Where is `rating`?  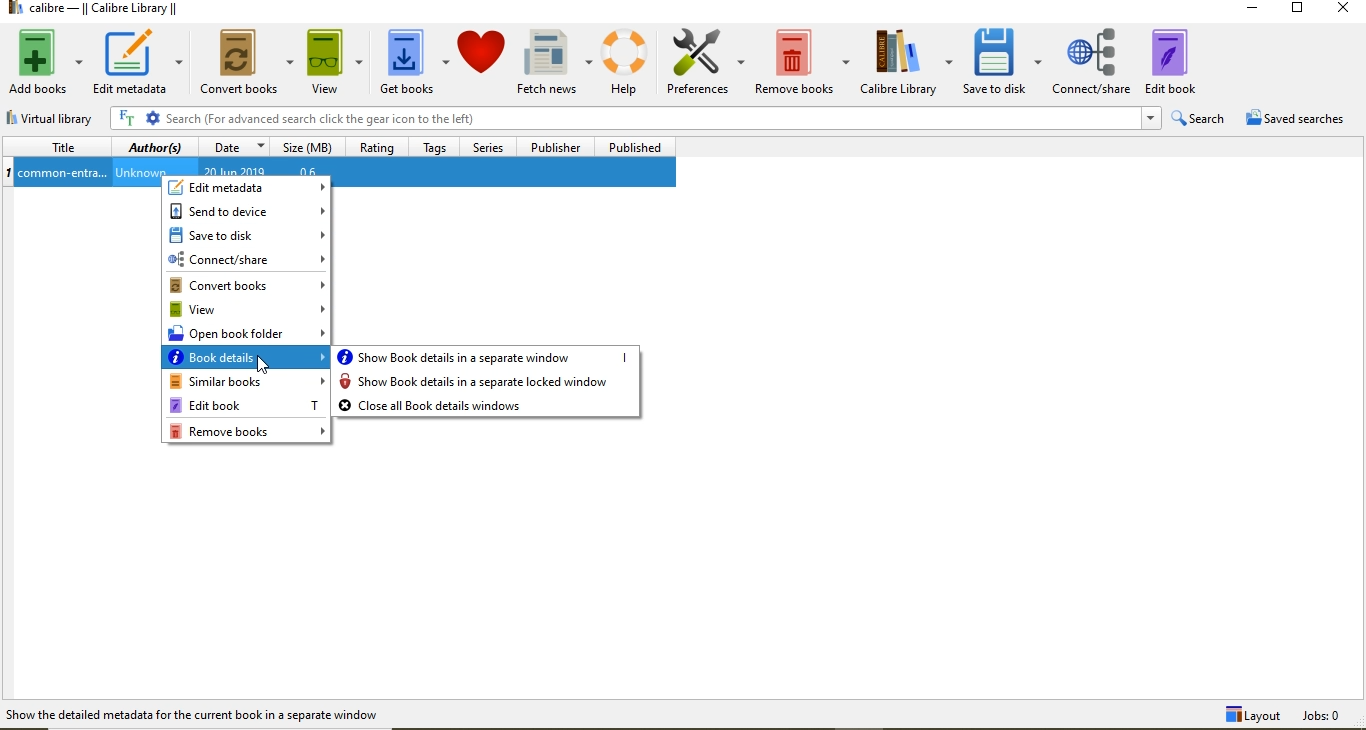 rating is located at coordinates (378, 150).